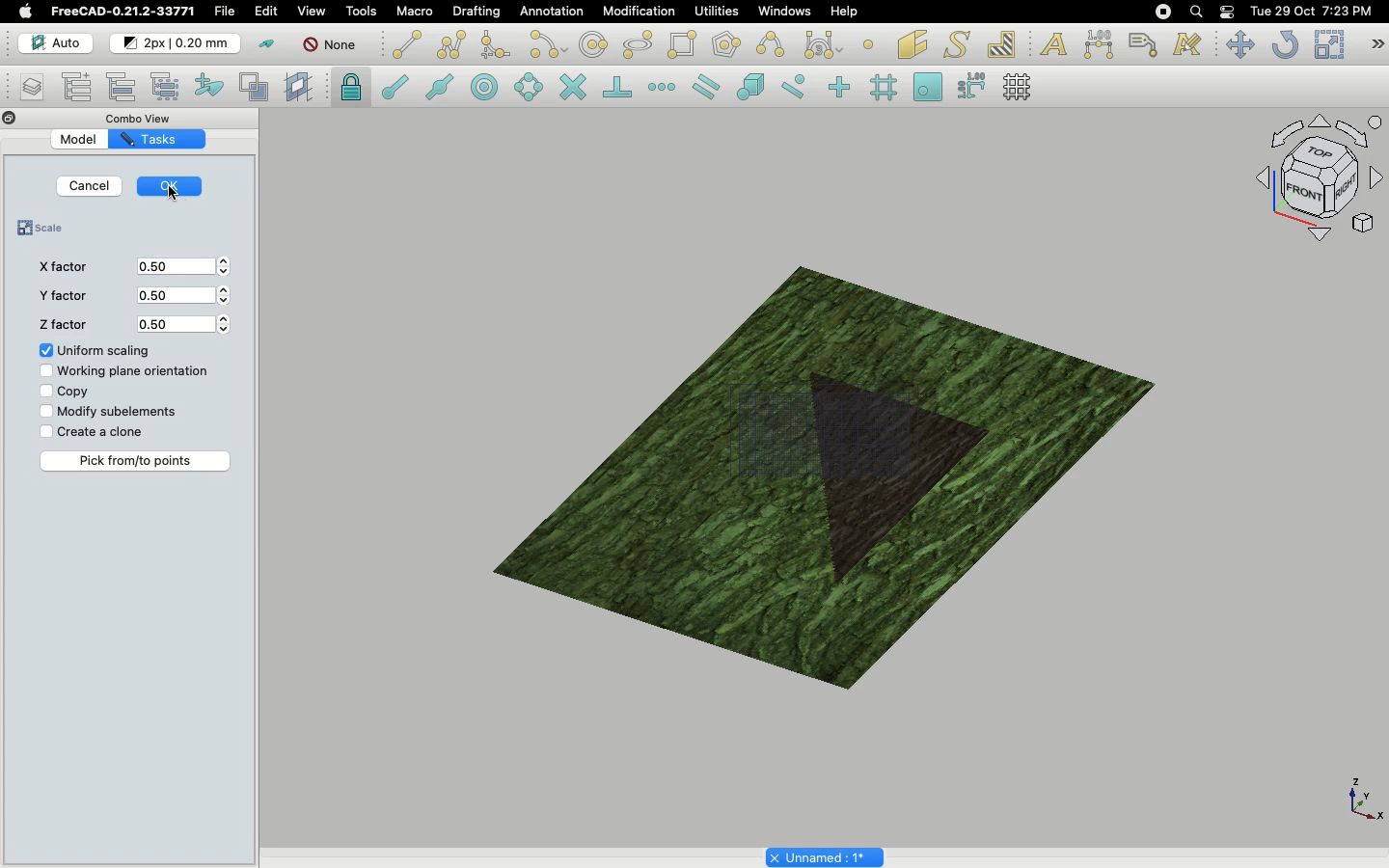 This screenshot has width=1389, height=868. Describe the element at coordinates (912, 43) in the screenshot. I see `Facebinder` at that location.